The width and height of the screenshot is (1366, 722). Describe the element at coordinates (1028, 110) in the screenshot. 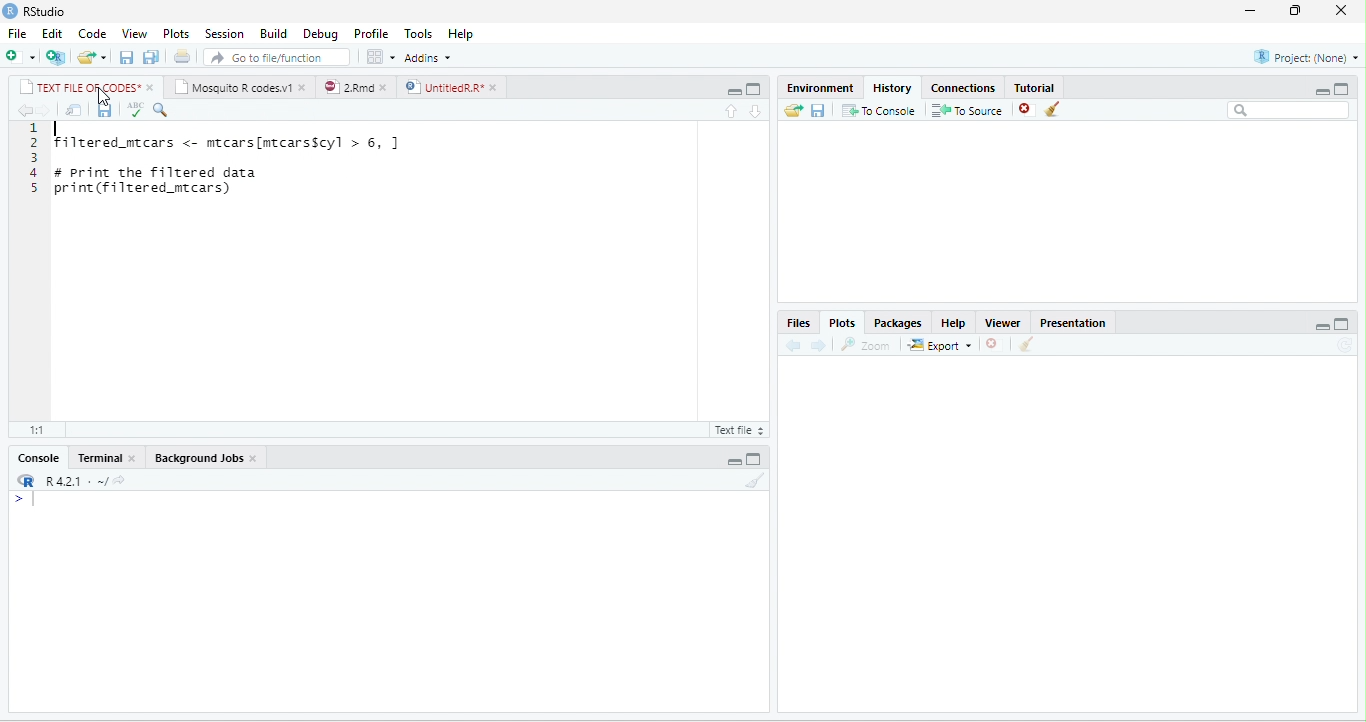

I see `close file` at that location.